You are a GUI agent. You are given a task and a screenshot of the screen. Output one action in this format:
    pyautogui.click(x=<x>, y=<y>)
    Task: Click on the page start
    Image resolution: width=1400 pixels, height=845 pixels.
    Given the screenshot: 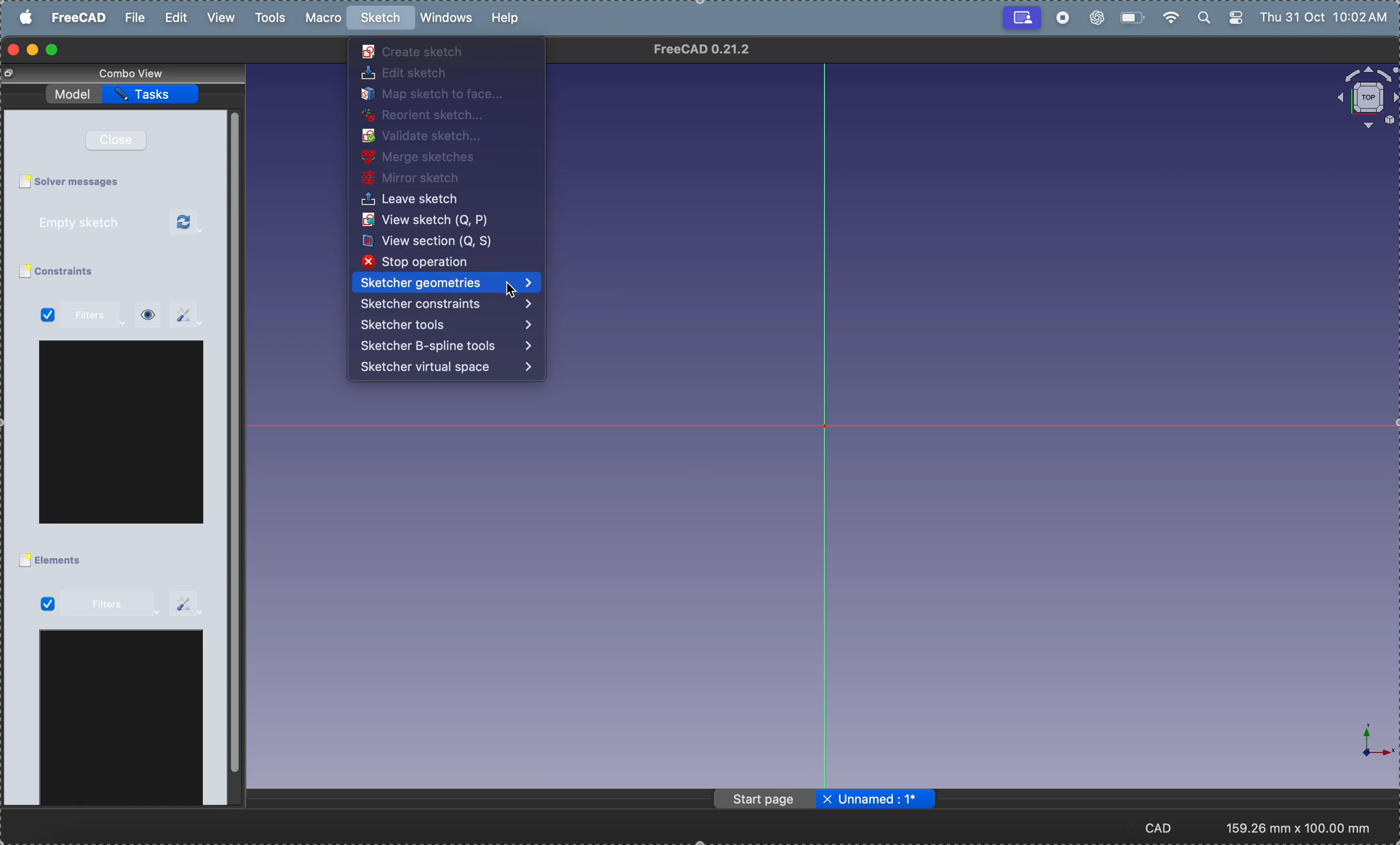 What is the action you would take?
    pyautogui.click(x=766, y=800)
    